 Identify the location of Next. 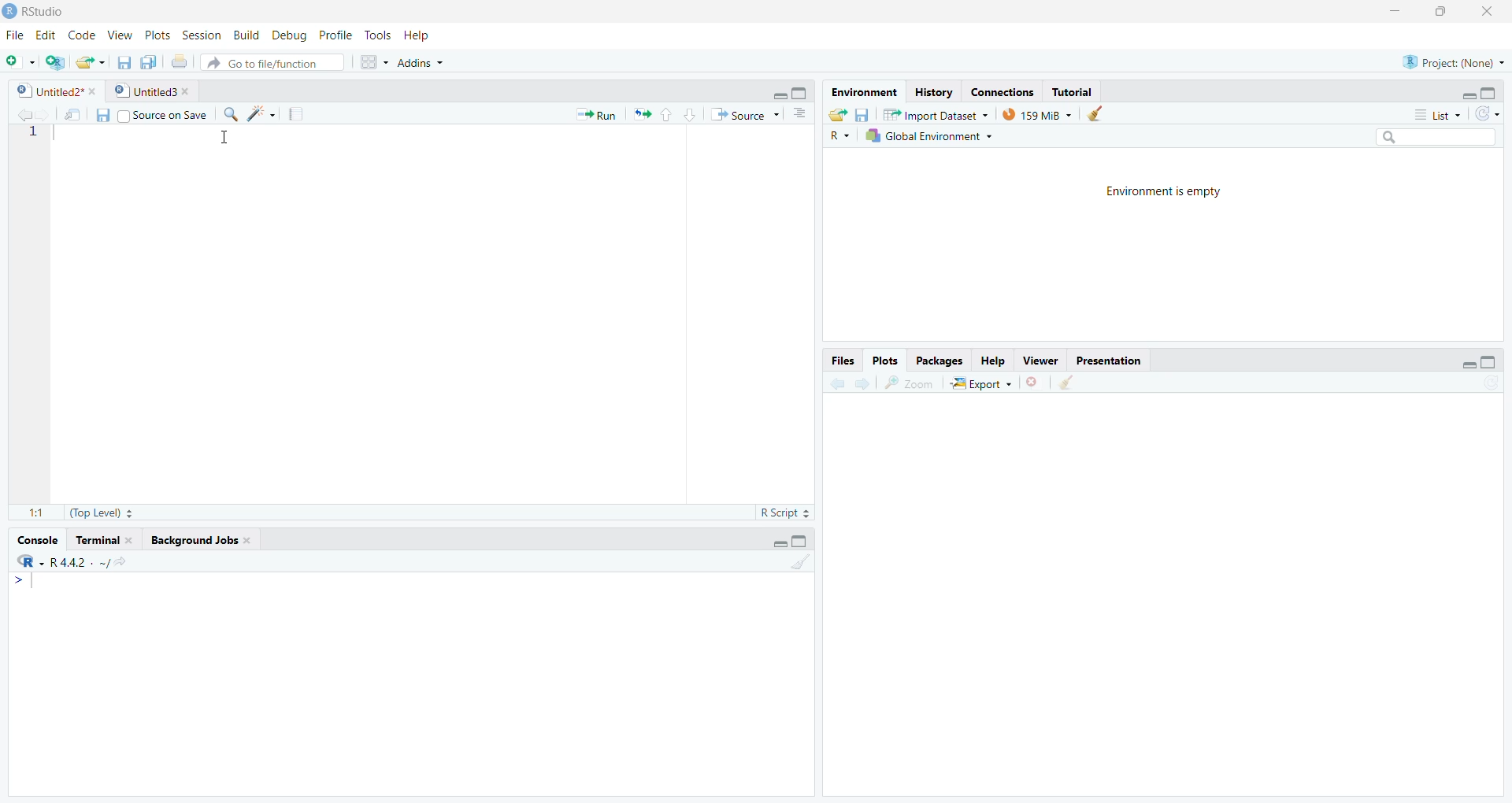
(862, 383).